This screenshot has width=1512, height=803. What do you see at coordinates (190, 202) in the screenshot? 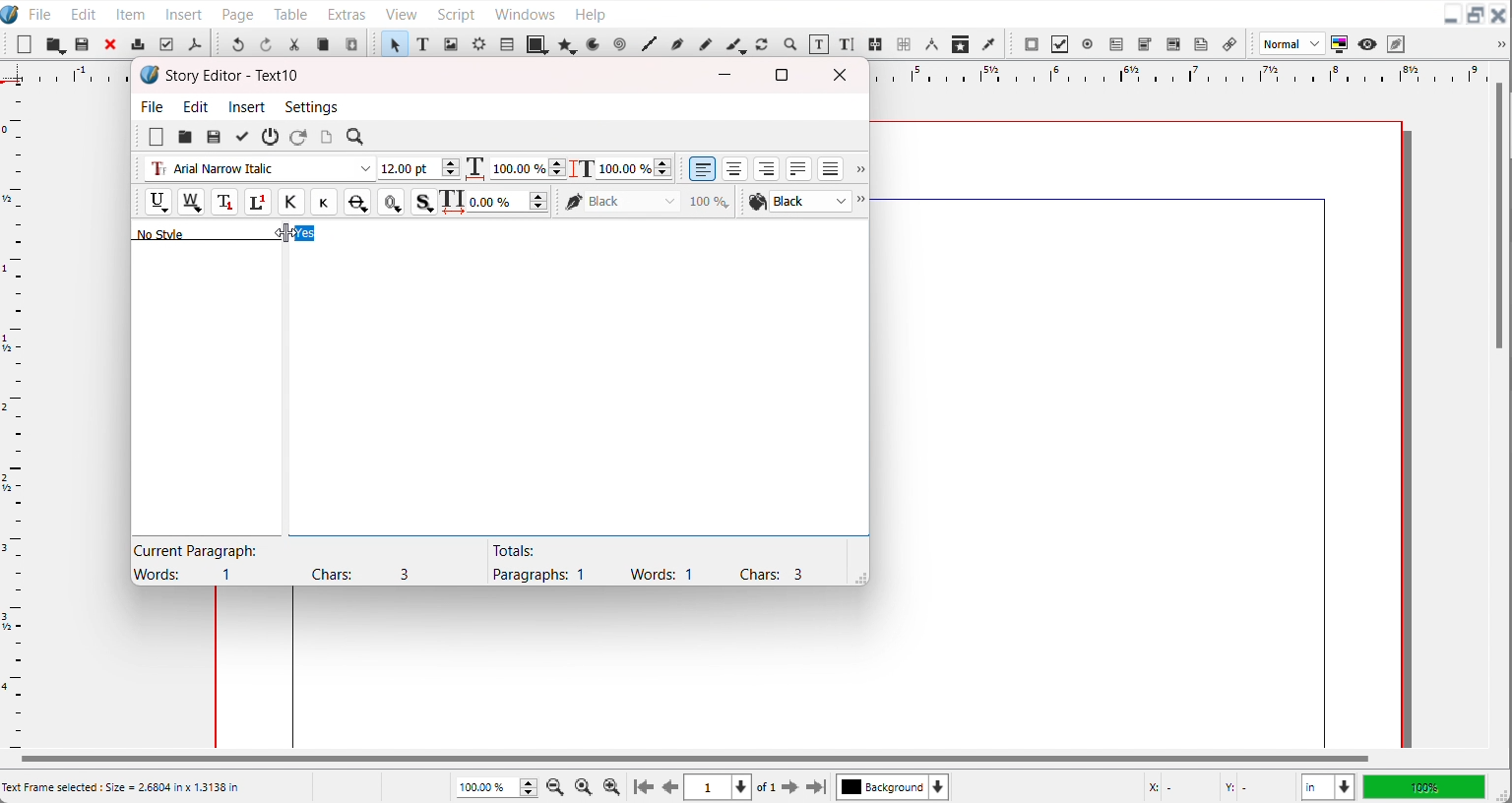
I see `Remove underline` at bounding box center [190, 202].